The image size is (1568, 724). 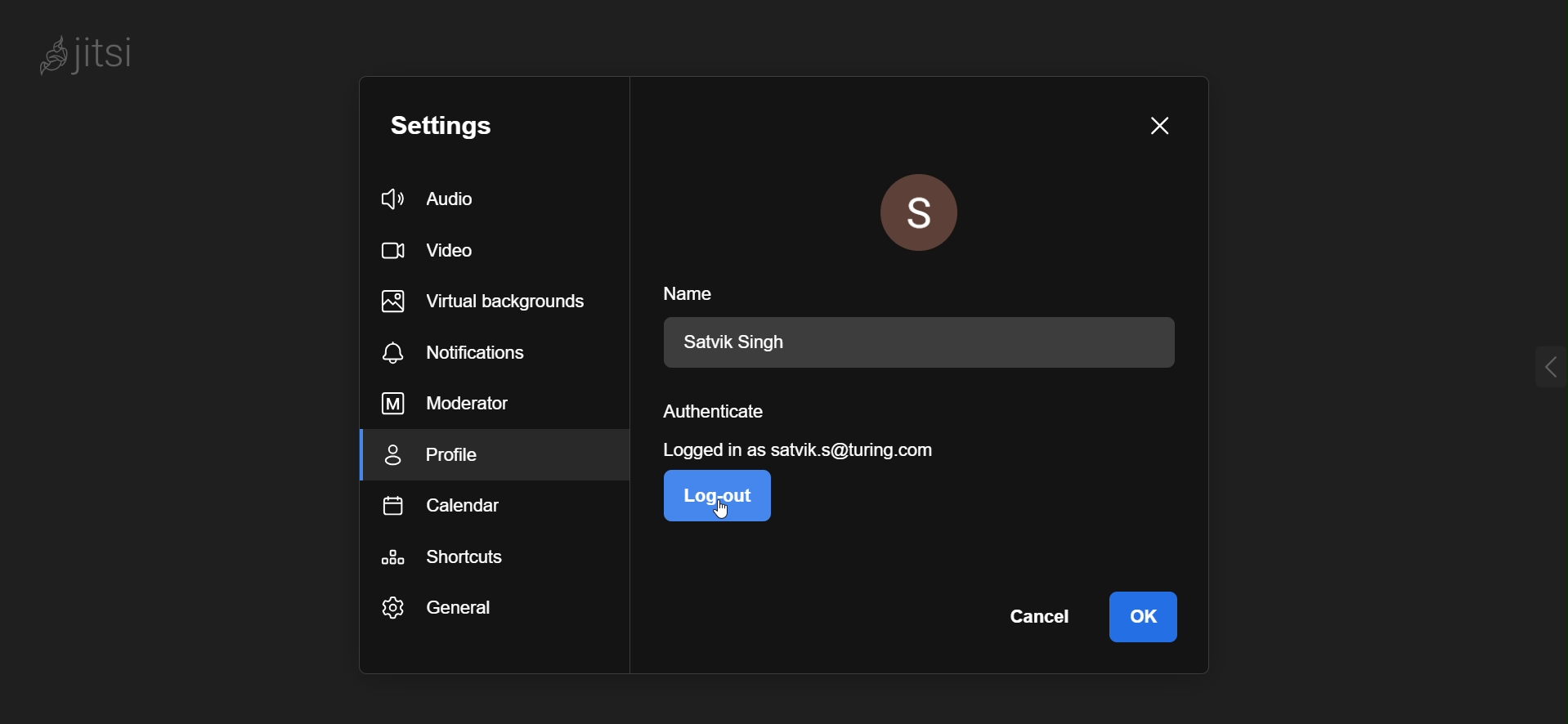 I want to click on Ok, so click(x=1147, y=615).